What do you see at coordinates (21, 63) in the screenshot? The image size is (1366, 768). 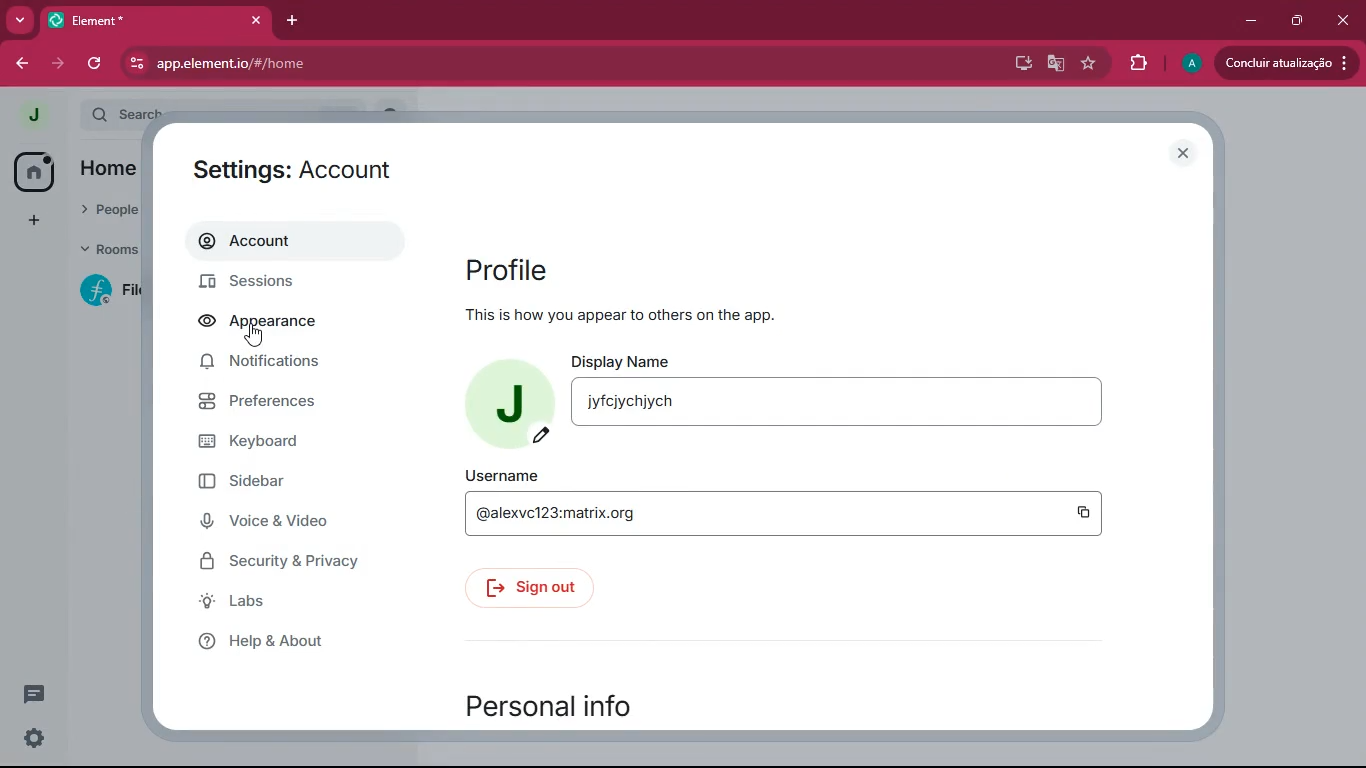 I see `back` at bounding box center [21, 63].